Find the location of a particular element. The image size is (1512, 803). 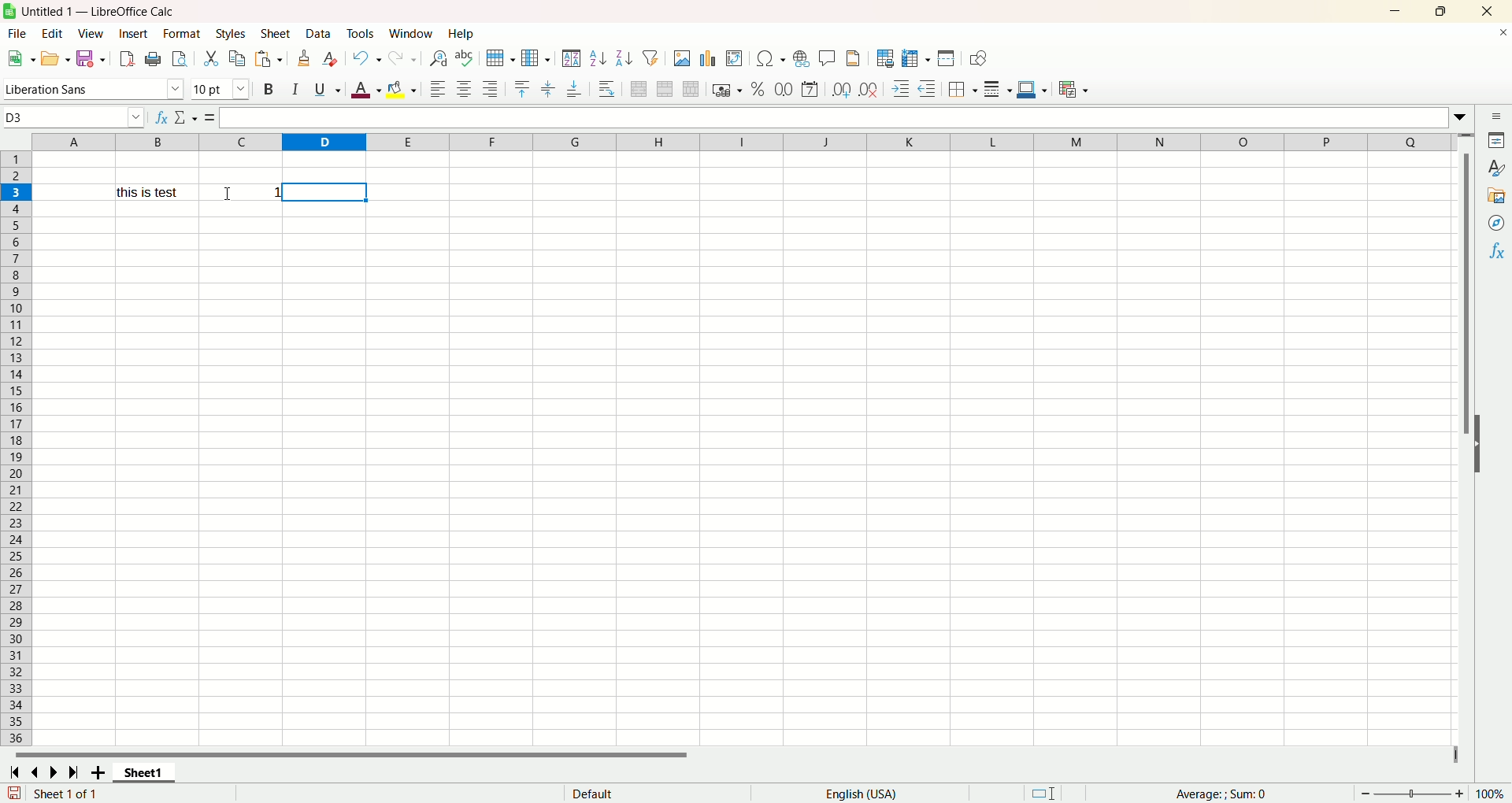

export as pdf is located at coordinates (126, 59).